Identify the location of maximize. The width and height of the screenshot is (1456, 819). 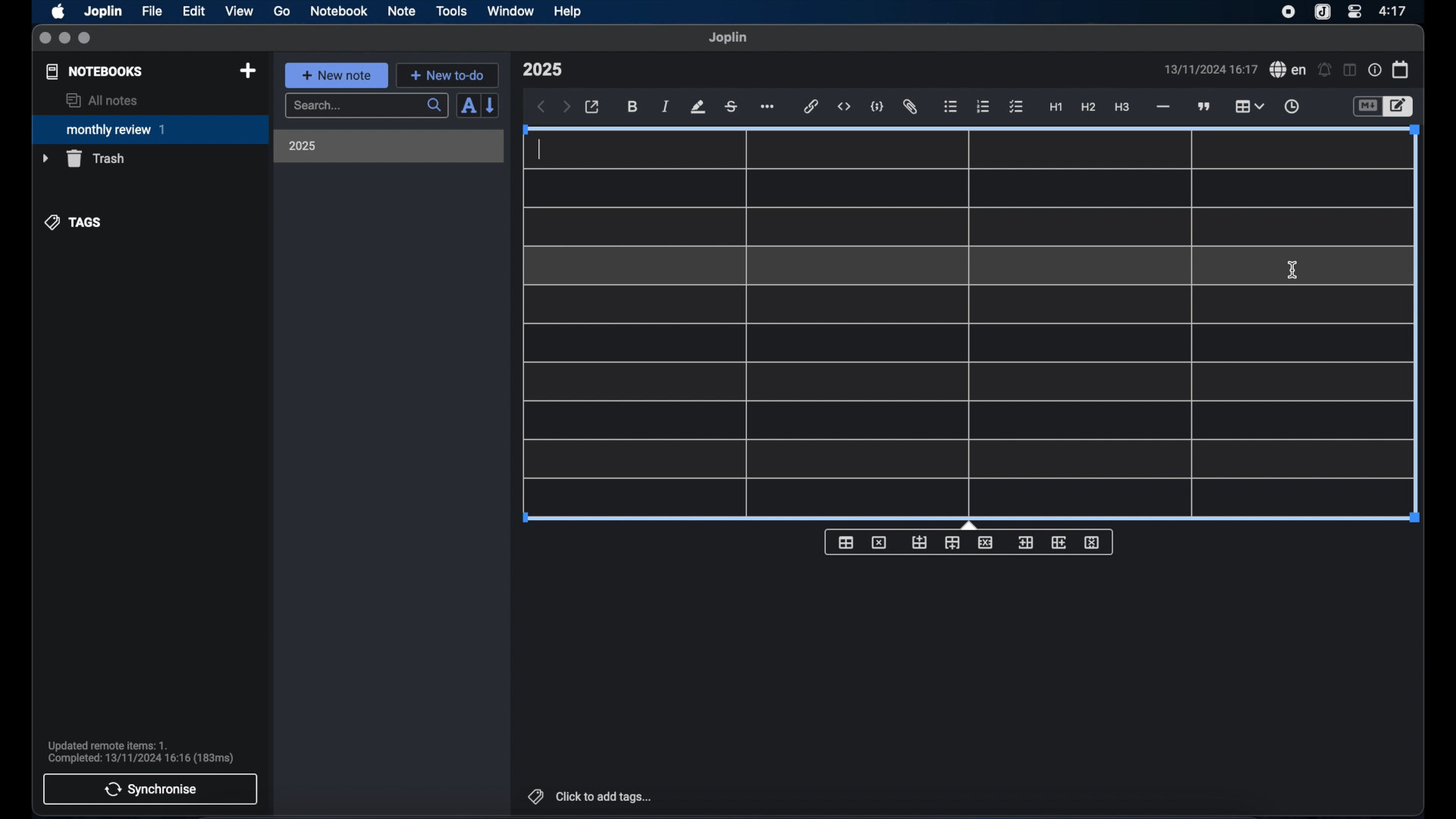
(86, 39).